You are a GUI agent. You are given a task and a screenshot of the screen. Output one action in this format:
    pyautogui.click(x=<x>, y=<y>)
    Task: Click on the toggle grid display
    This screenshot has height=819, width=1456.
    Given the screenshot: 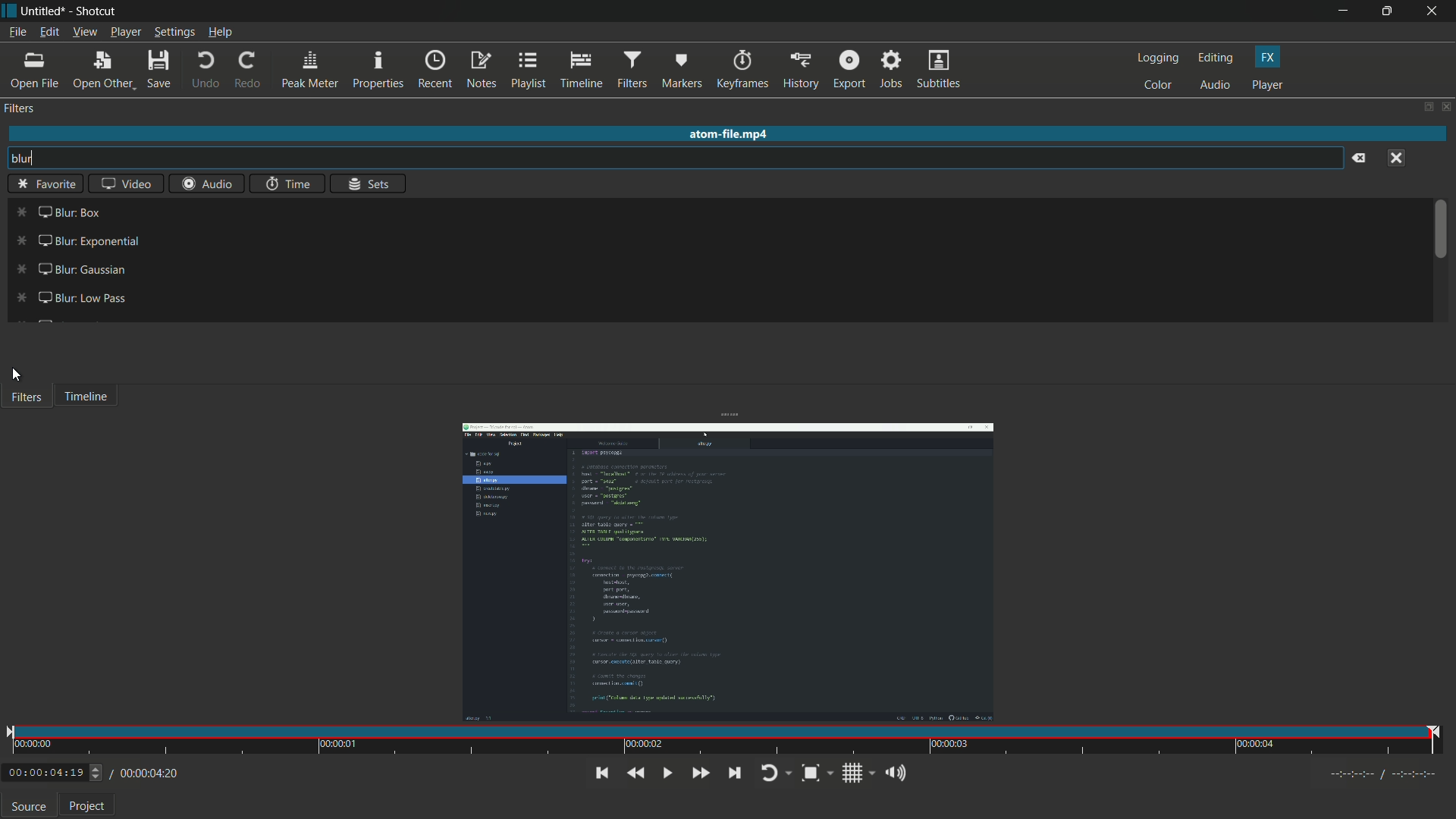 What is the action you would take?
    pyautogui.click(x=859, y=775)
    